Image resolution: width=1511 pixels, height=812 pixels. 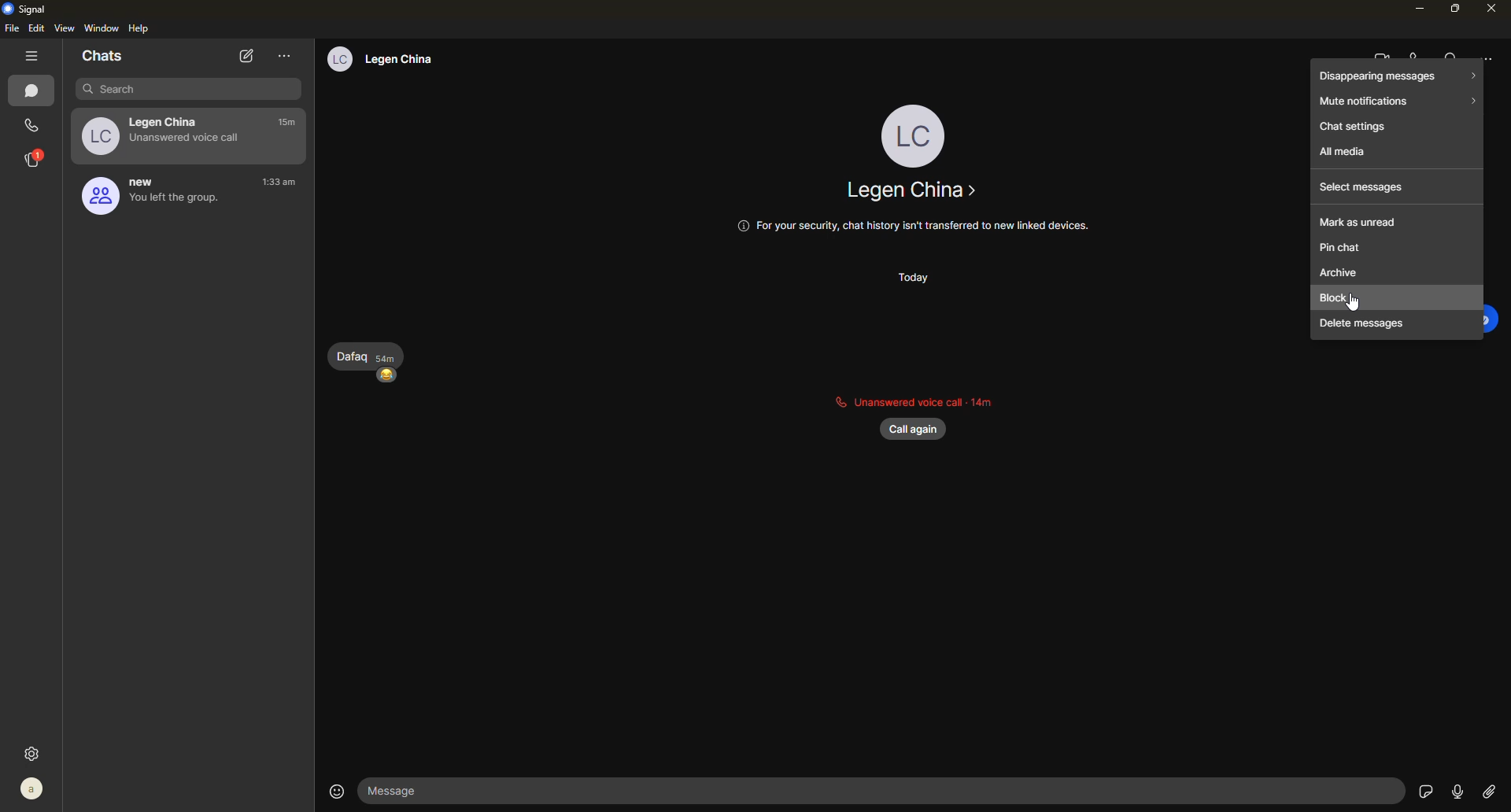 What do you see at coordinates (289, 123) in the screenshot?
I see `time` at bounding box center [289, 123].